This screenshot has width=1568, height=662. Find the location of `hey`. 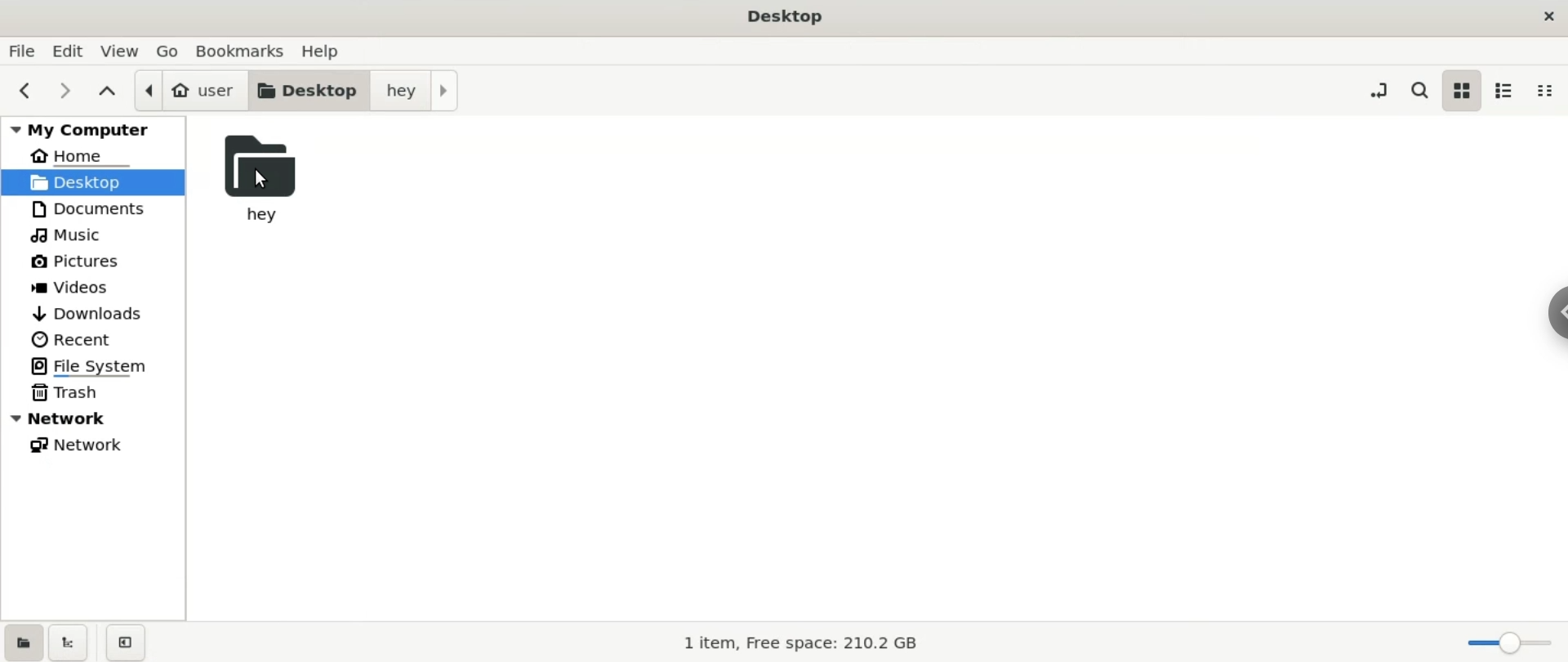

hey is located at coordinates (412, 89).